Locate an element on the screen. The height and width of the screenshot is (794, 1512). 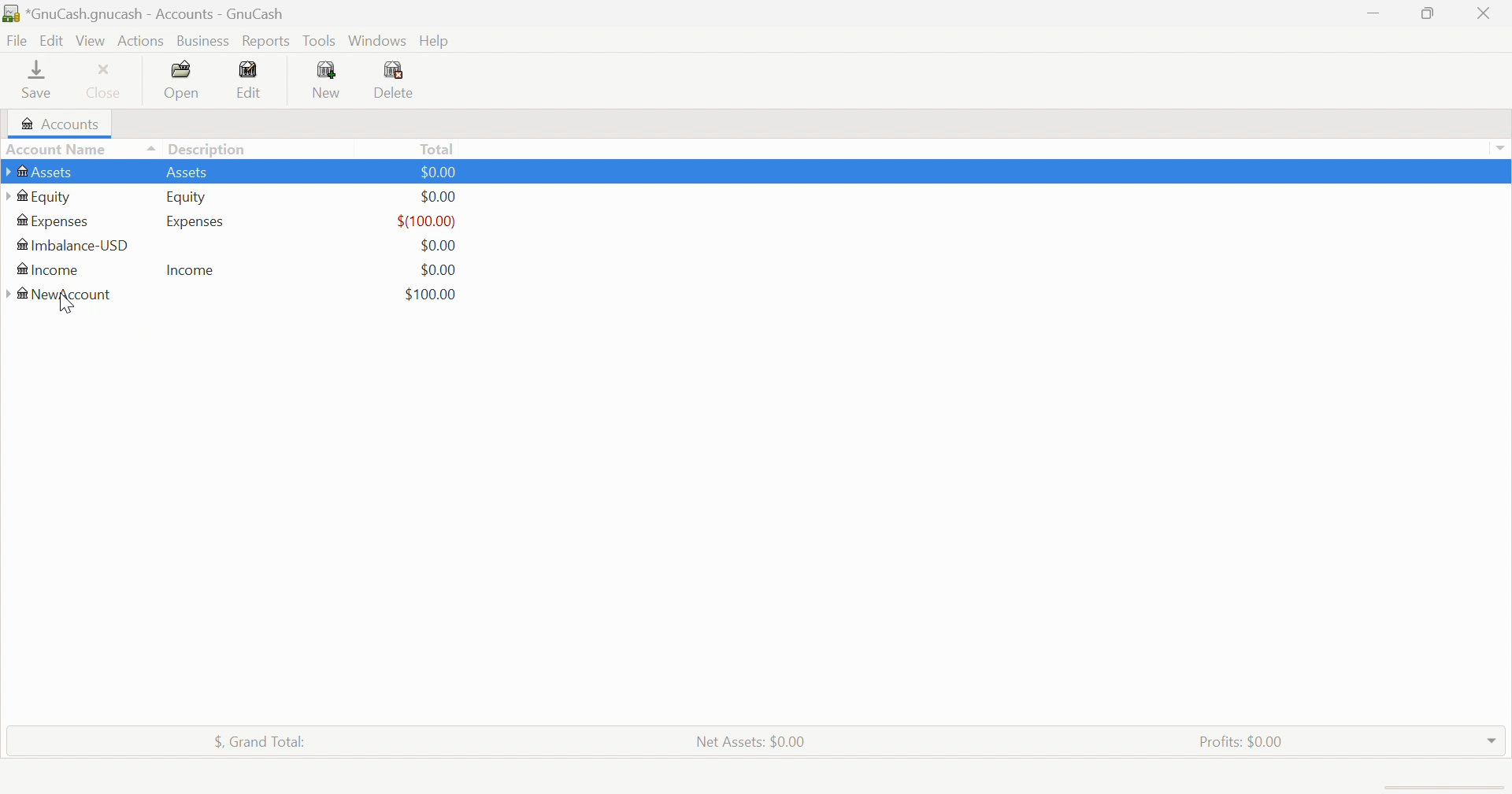
Income is located at coordinates (46, 269).